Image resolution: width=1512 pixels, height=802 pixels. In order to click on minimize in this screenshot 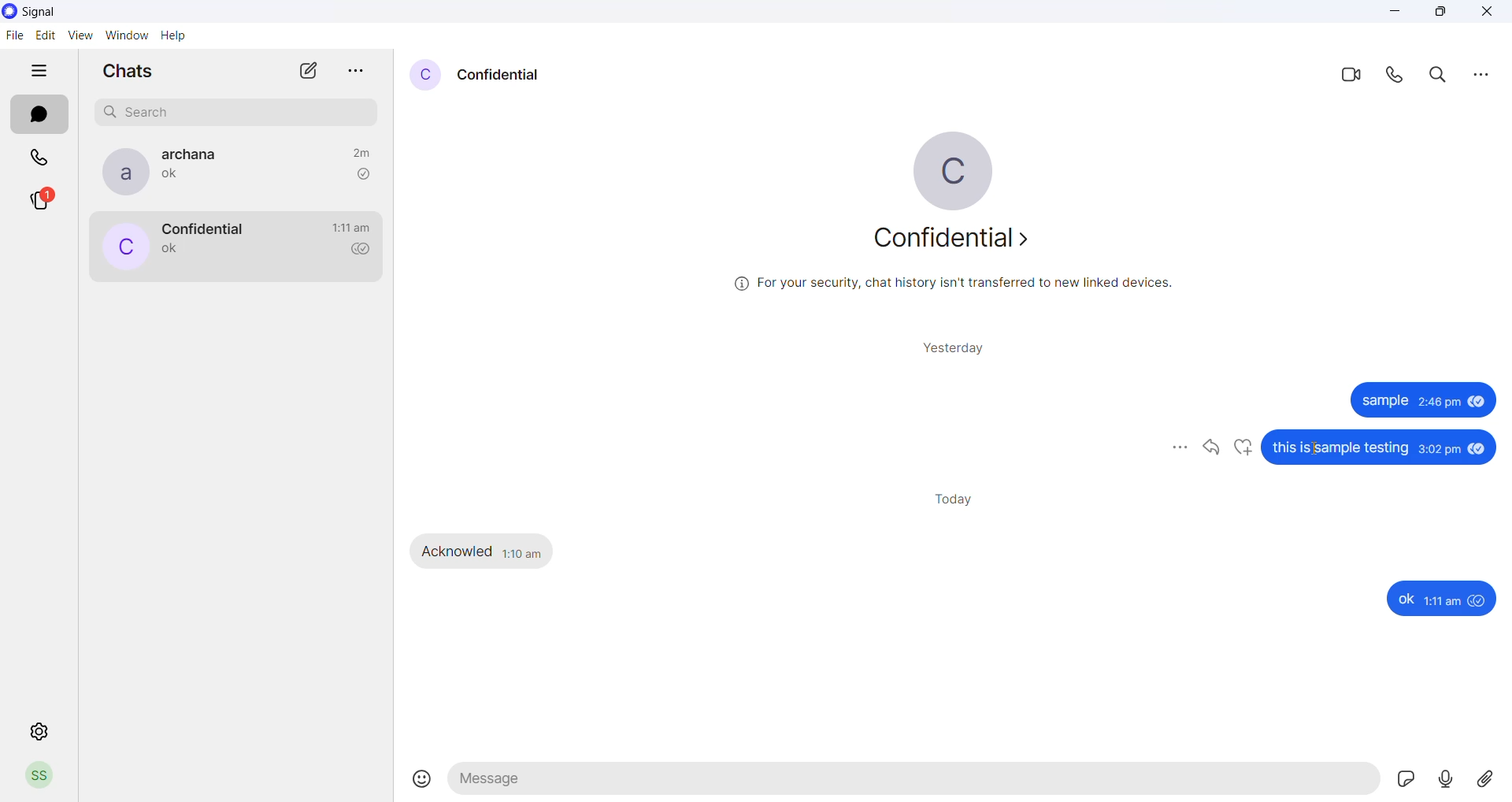, I will do `click(1397, 16)`.